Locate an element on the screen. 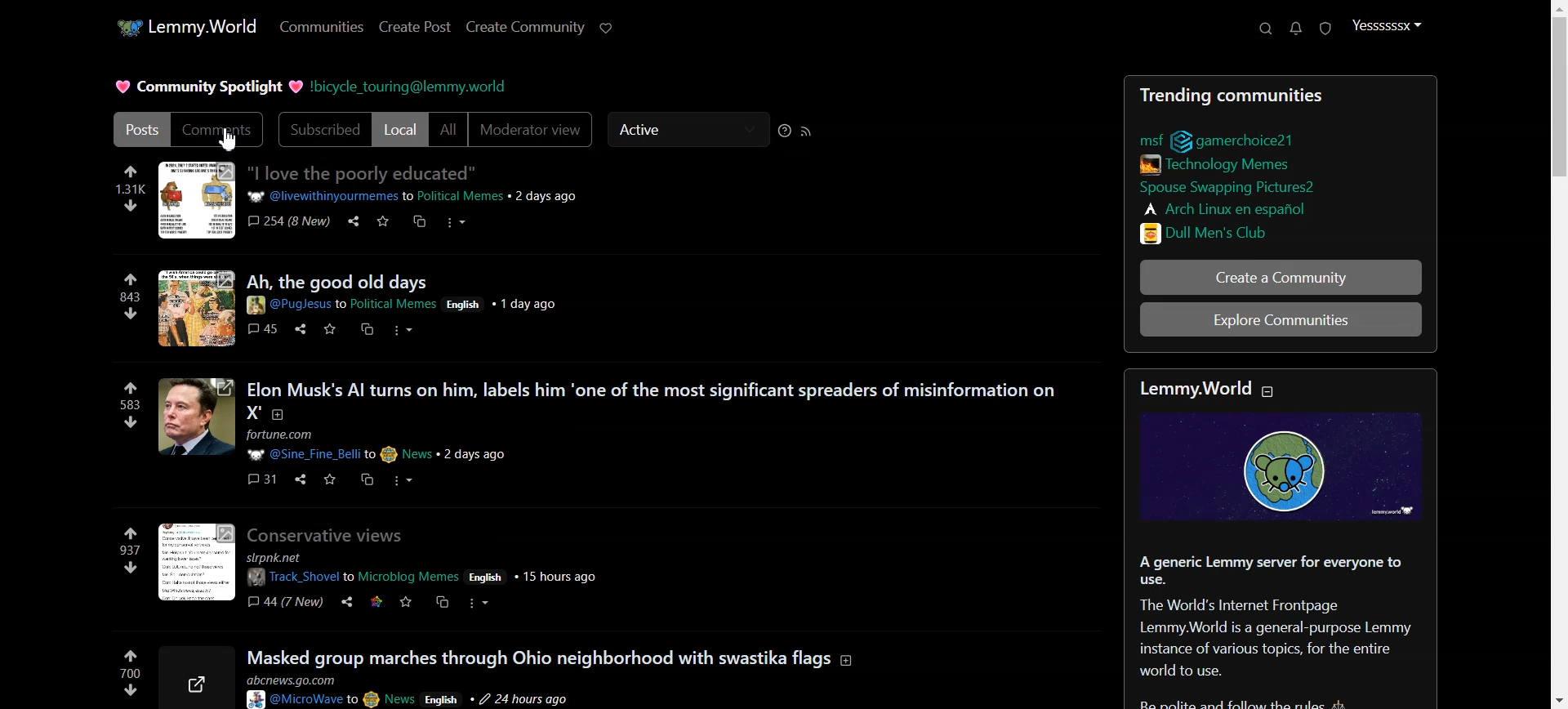  downvote is located at coordinates (131, 690).